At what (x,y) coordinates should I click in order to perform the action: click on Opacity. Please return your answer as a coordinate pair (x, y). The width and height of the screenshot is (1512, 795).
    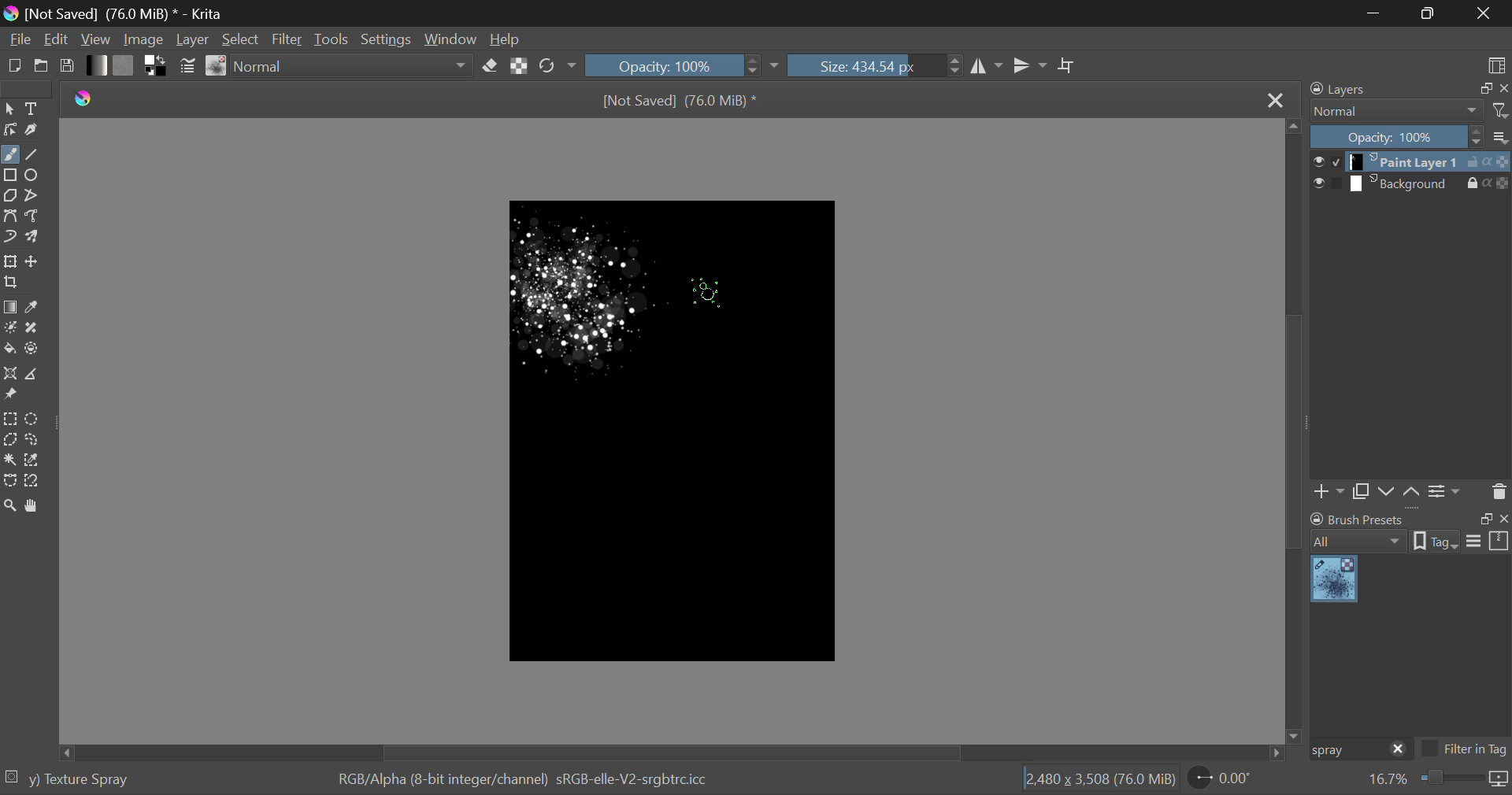
    Looking at the image, I should click on (684, 65).